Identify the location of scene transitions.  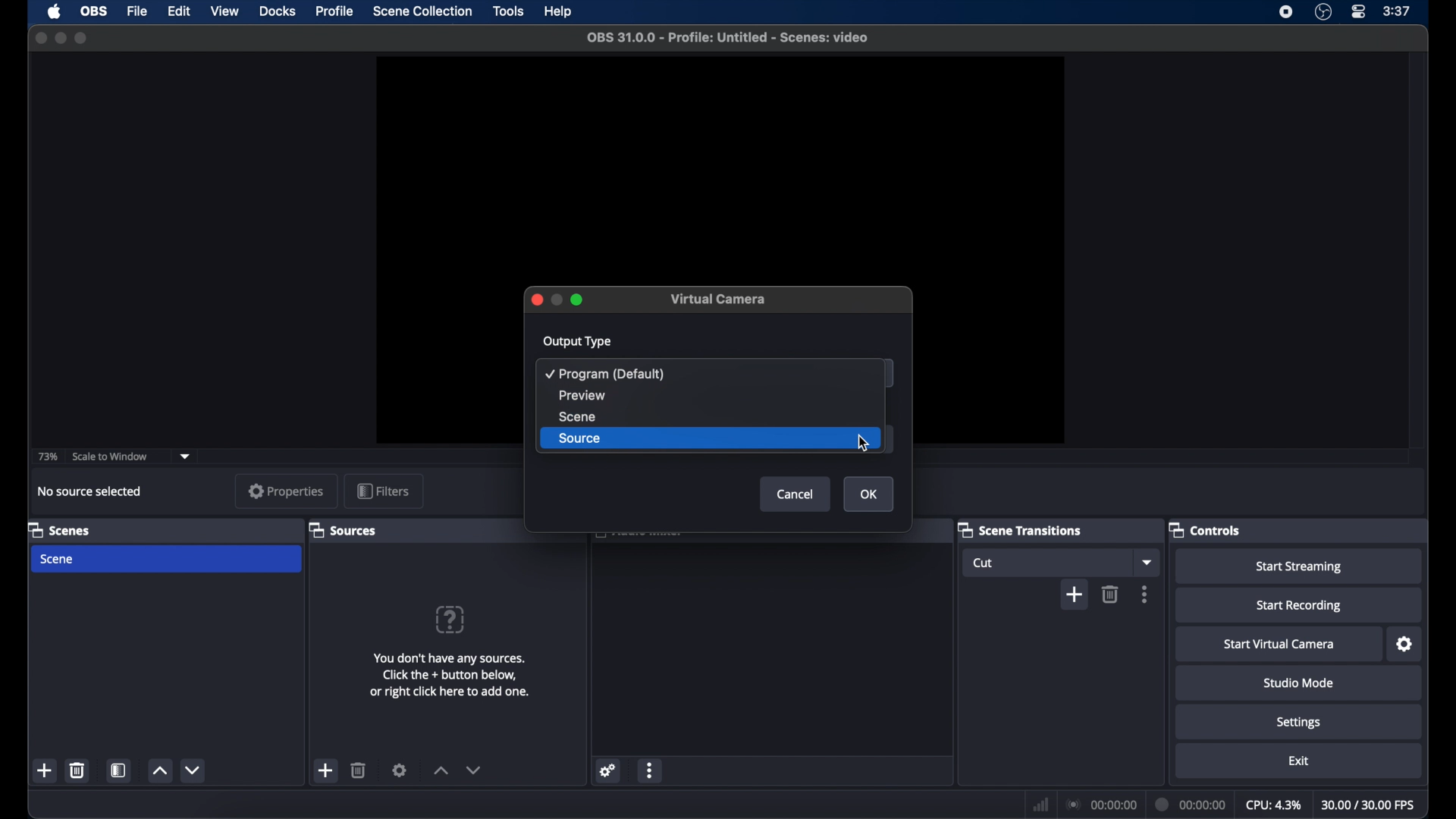
(1021, 529).